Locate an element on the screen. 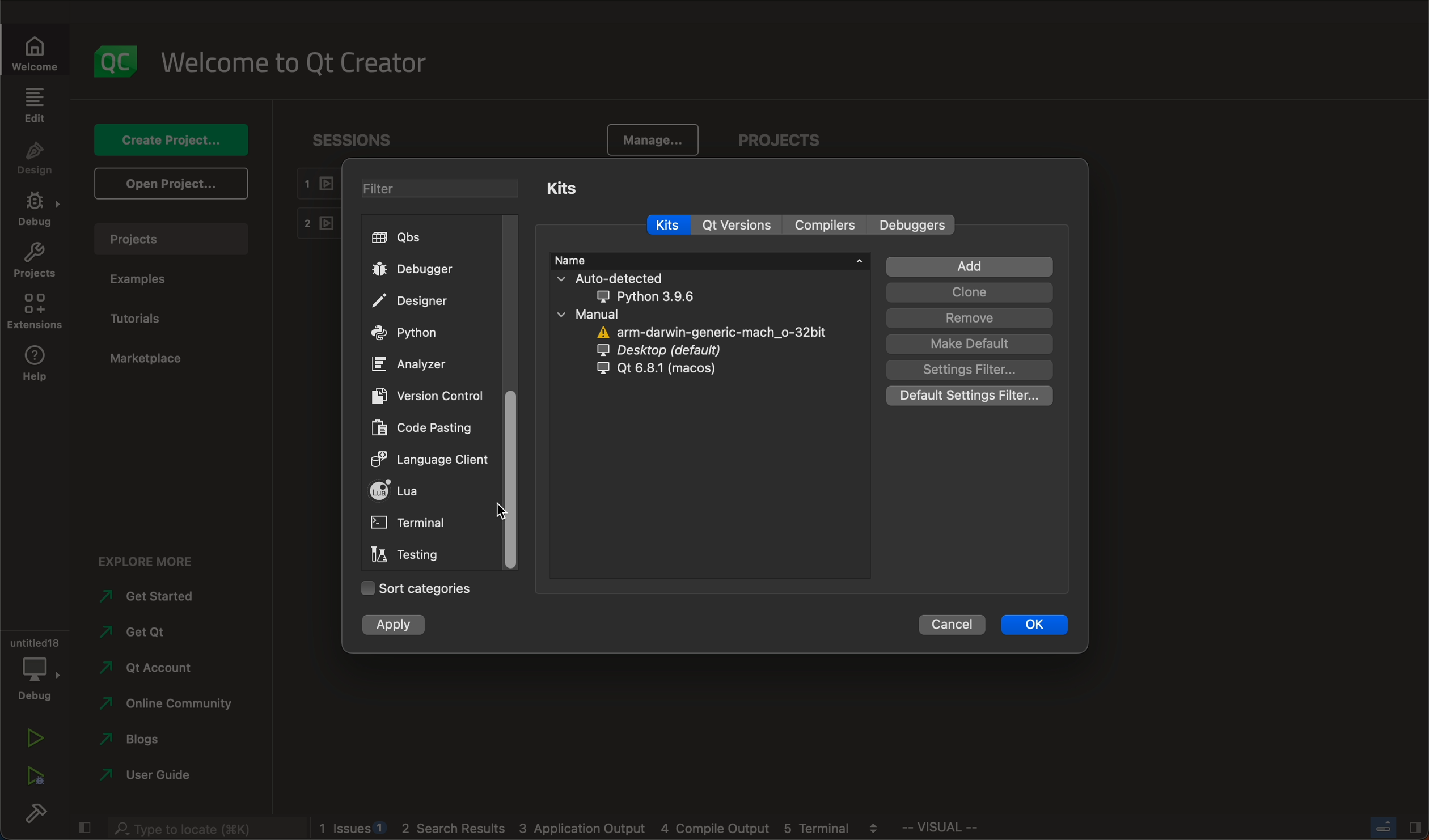  debug is located at coordinates (34, 211).